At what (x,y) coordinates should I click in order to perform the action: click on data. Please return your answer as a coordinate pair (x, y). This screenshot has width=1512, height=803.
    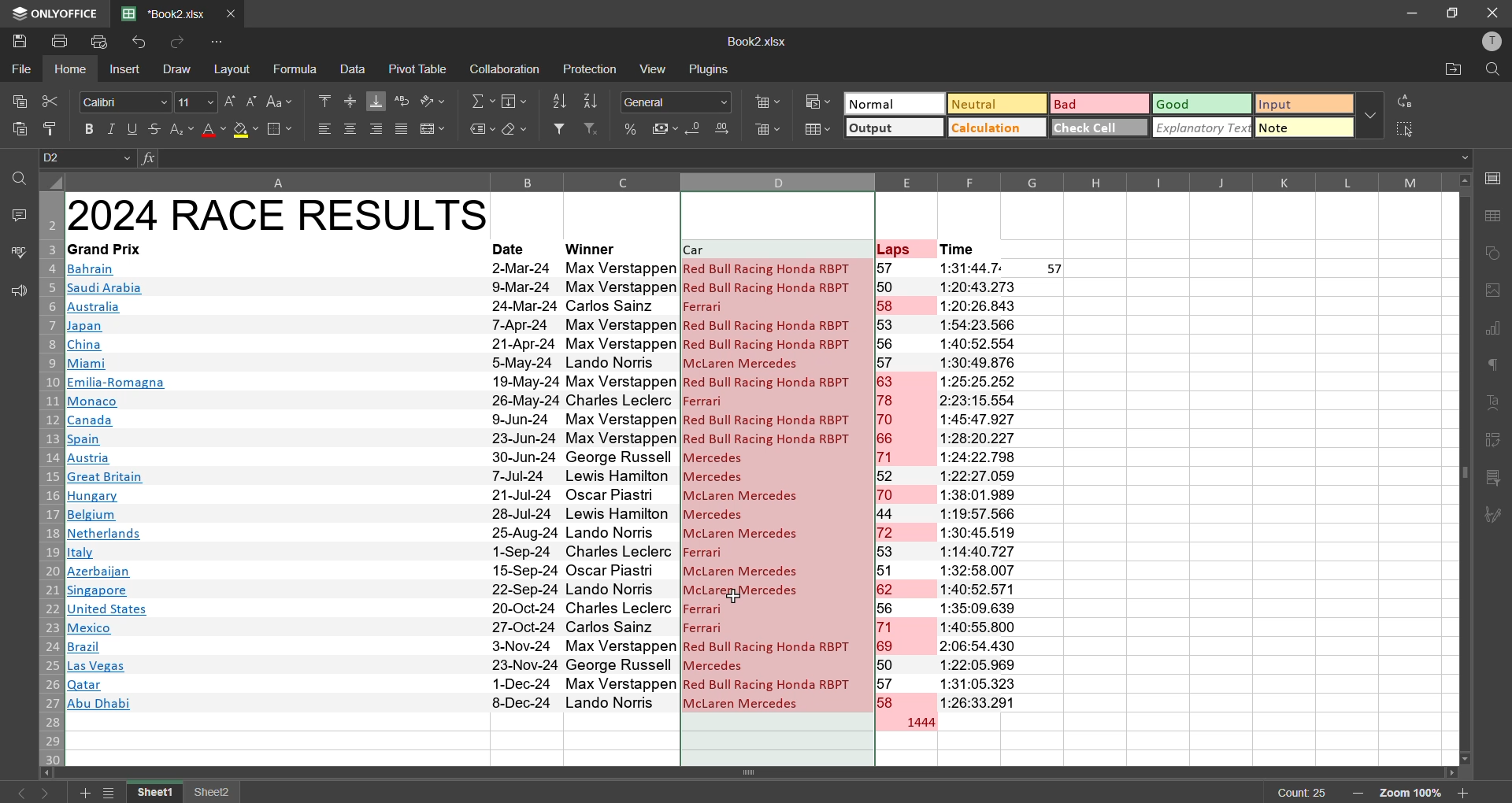
    Looking at the image, I should click on (353, 68).